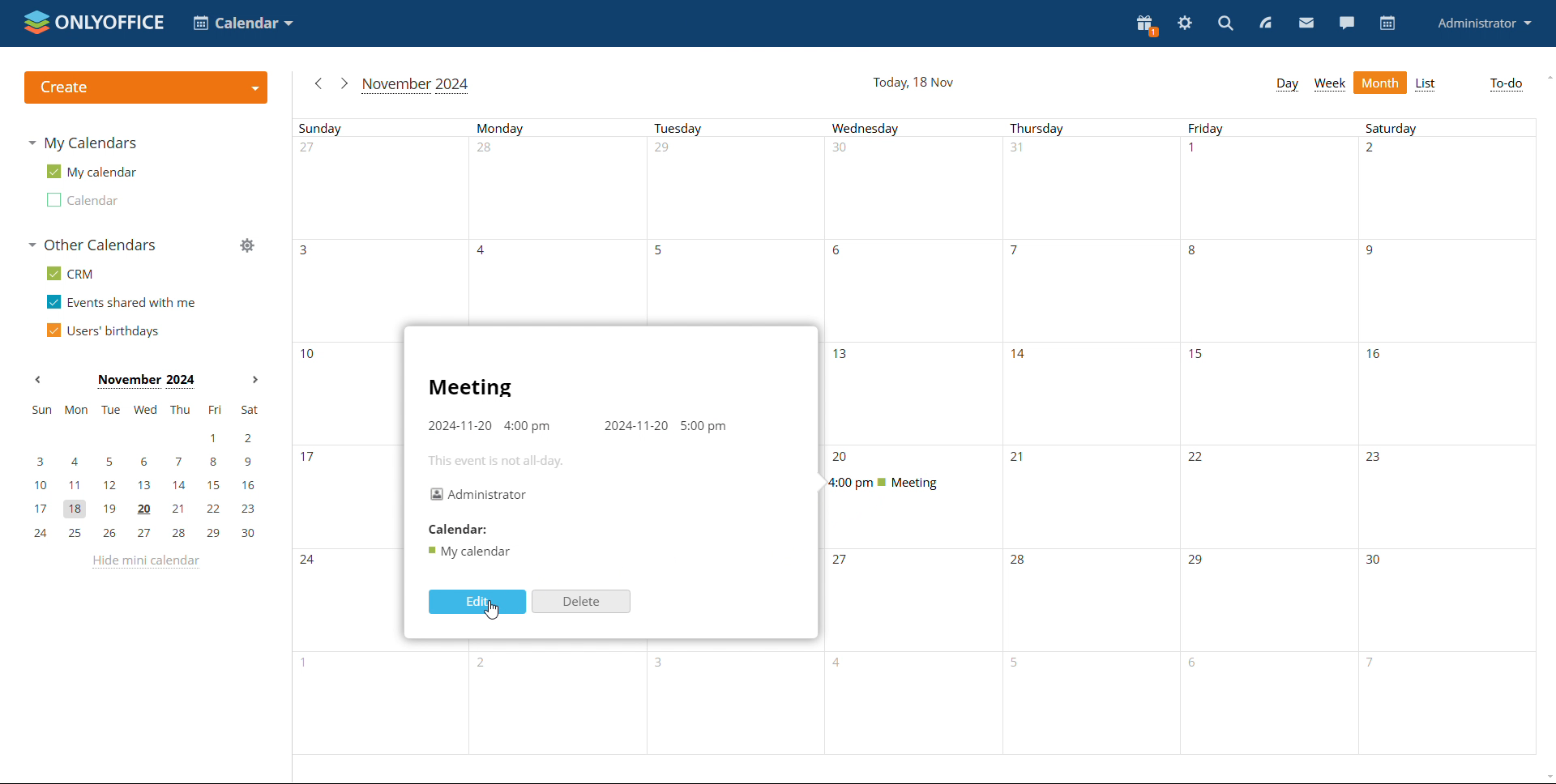 The image size is (1556, 784). Describe the element at coordinates (470, 389) in the screenshot. I see `meeting title` at that location.